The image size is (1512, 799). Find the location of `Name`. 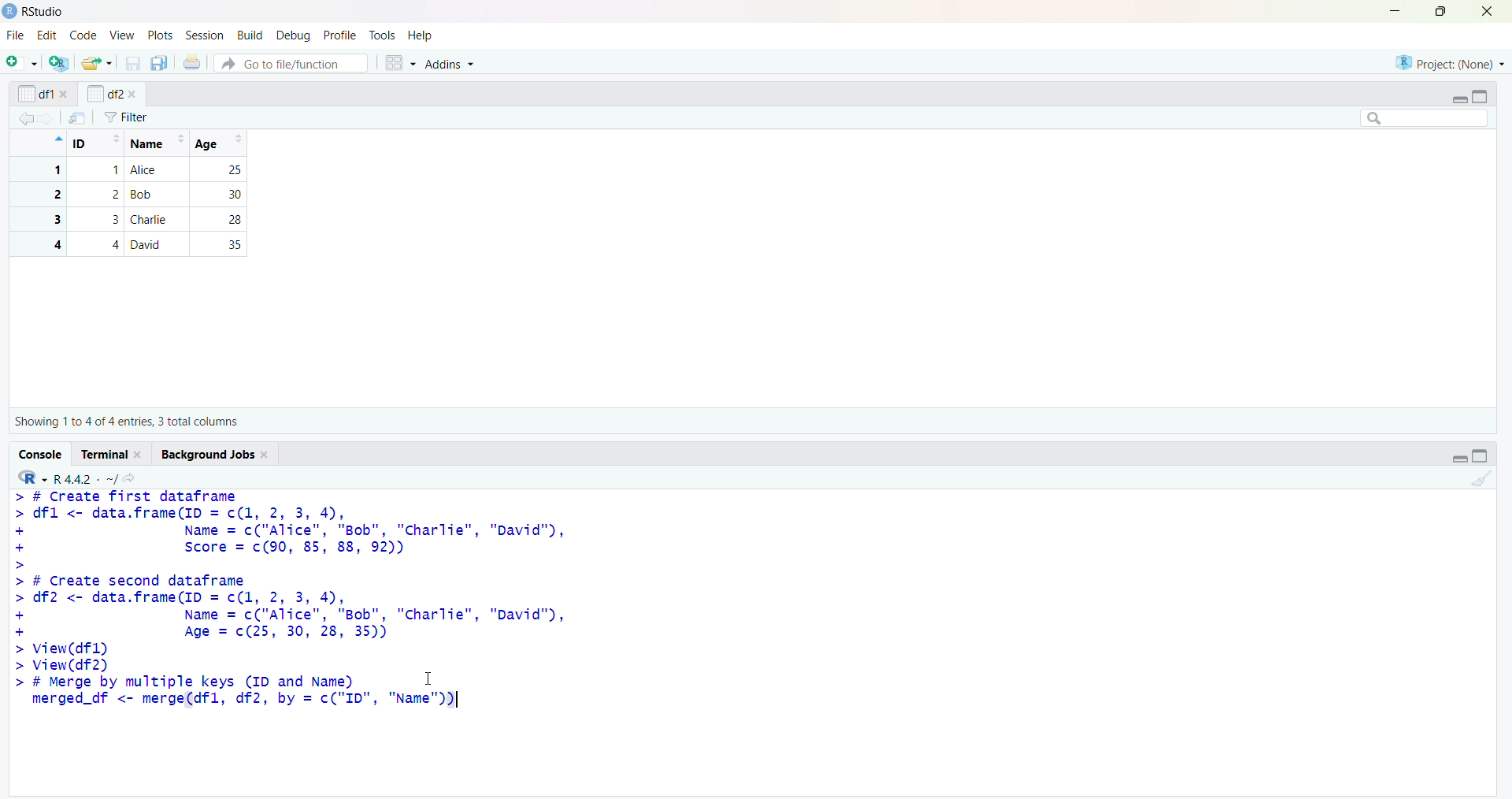

Name is located at coordinates (156, 143).